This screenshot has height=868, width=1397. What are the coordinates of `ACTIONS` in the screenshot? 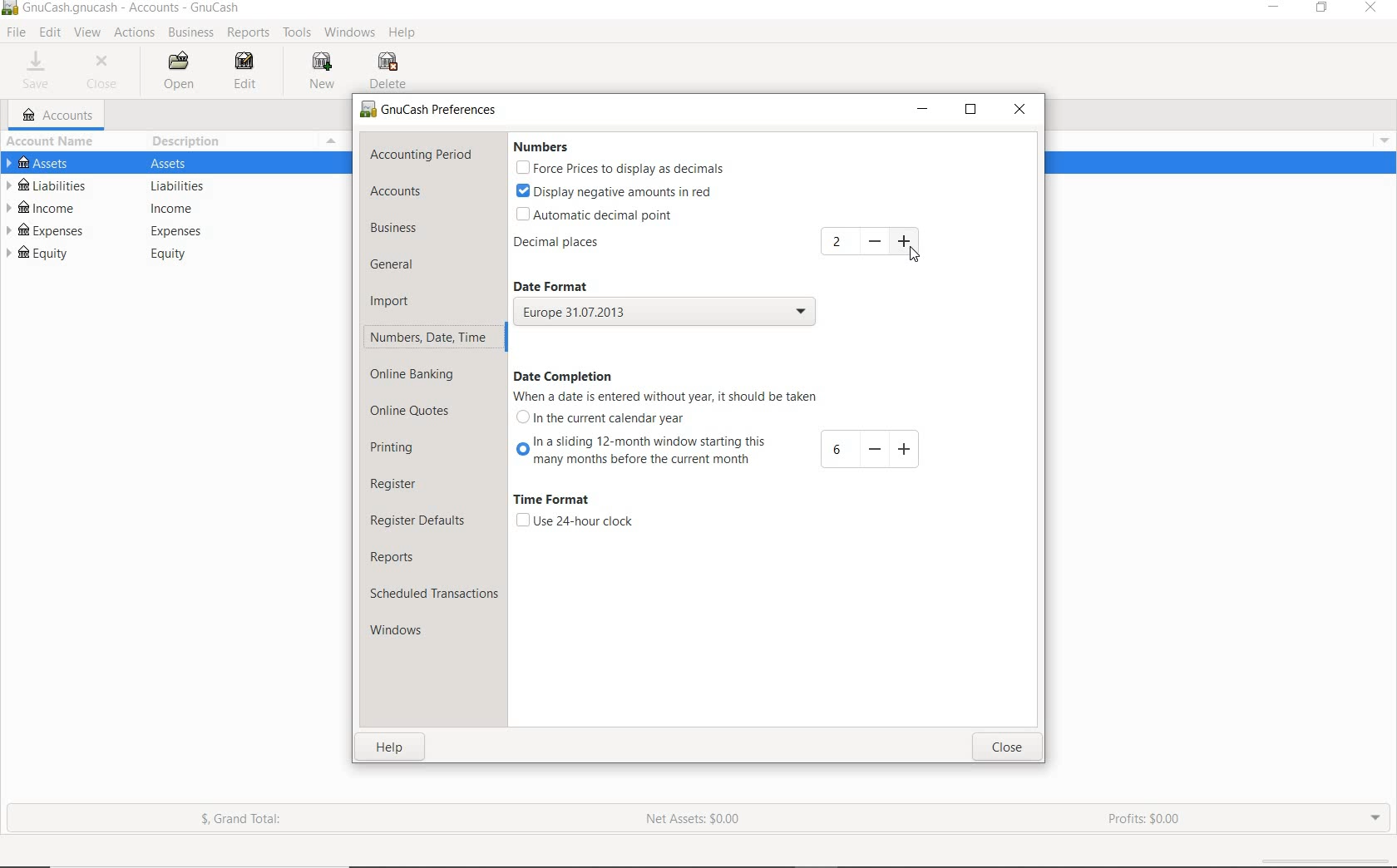 It's located at (136, 32).